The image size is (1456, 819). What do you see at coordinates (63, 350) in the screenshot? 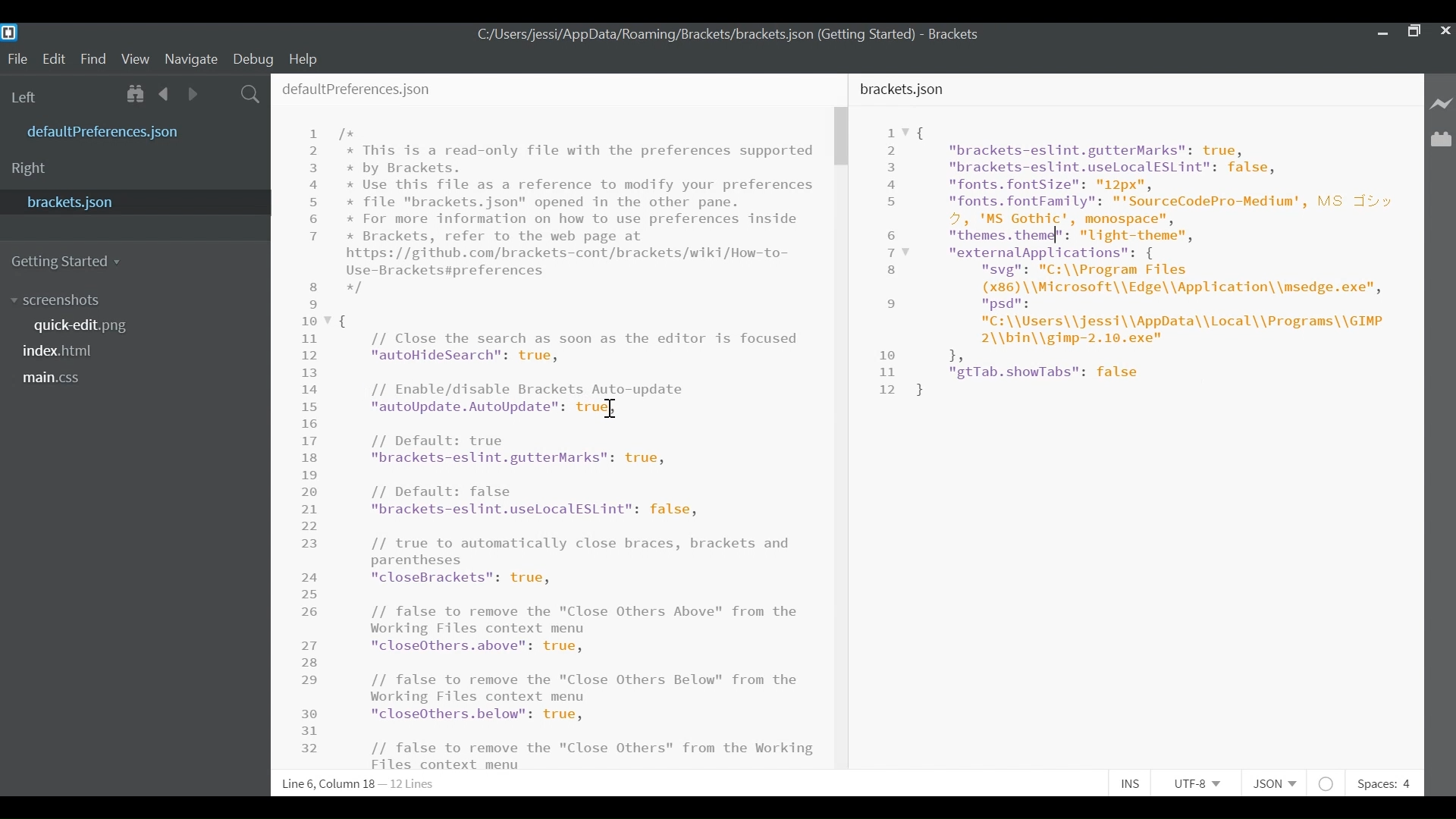
I see `index.html` at bounding box center [63, 350].